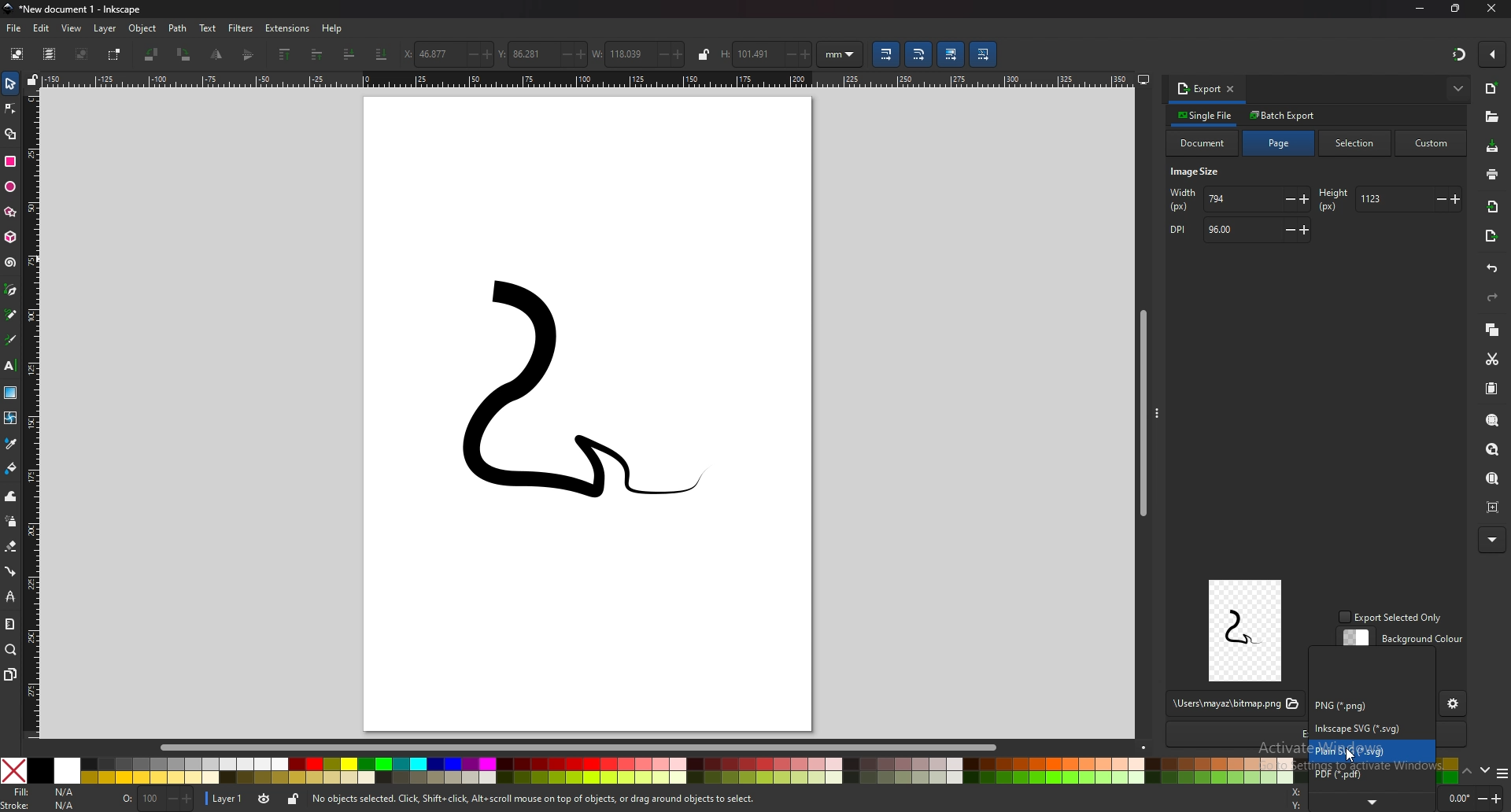  Describe the element at coordinates (647, 770) in the screenshot. I see `colors` at that location.